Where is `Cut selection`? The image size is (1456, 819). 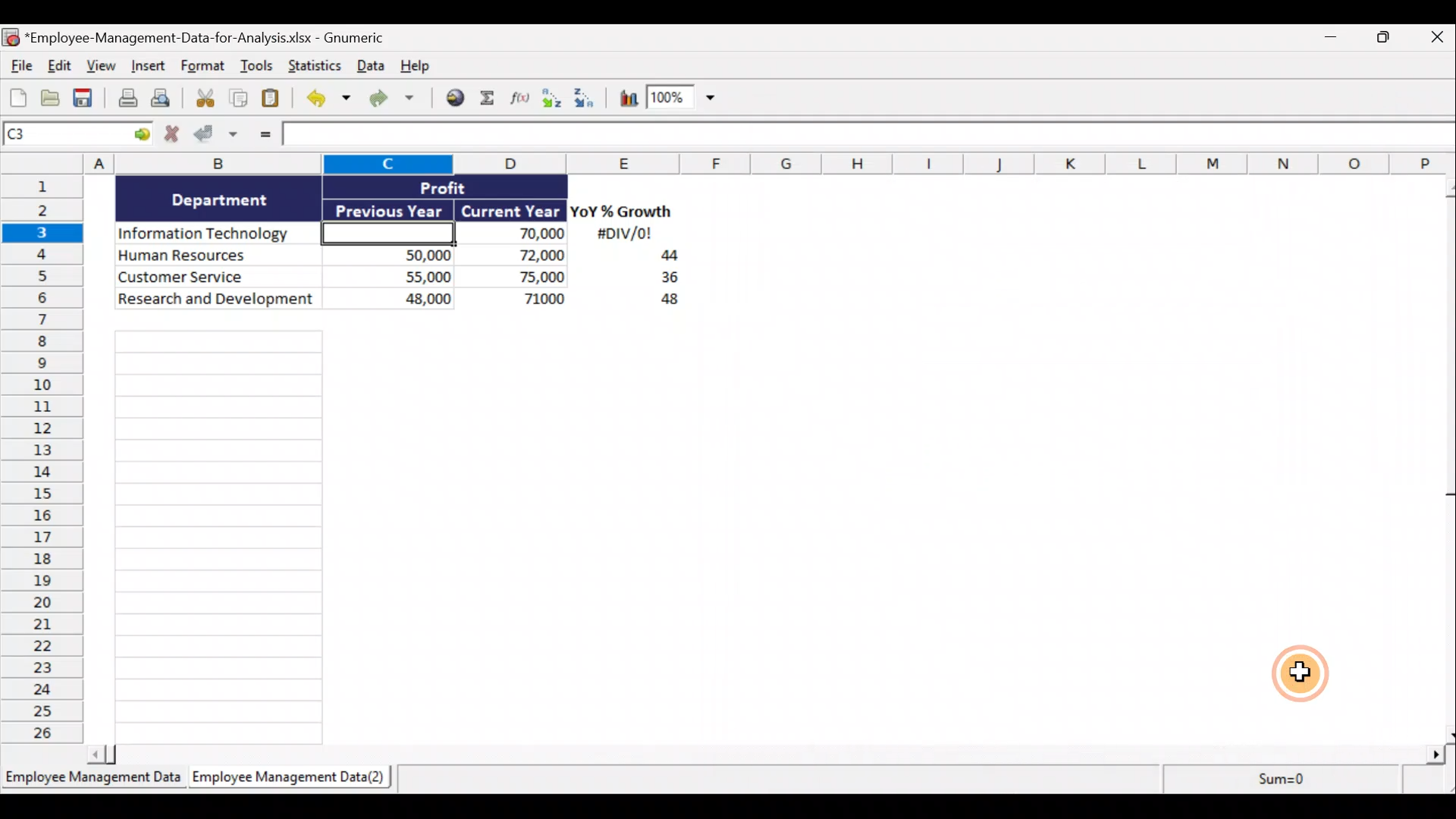
Cut selection is located at coordinates (204, 99).